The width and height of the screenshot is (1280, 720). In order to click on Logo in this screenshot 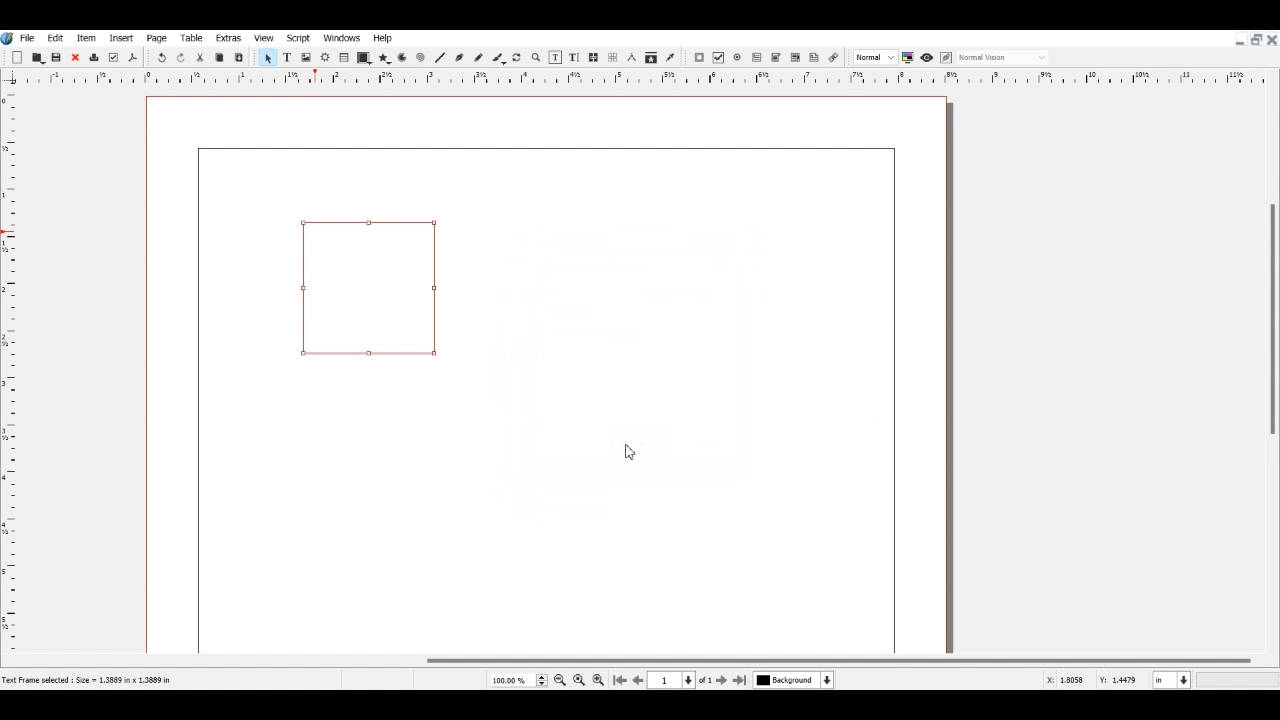, I will do `click(8, 38)`.